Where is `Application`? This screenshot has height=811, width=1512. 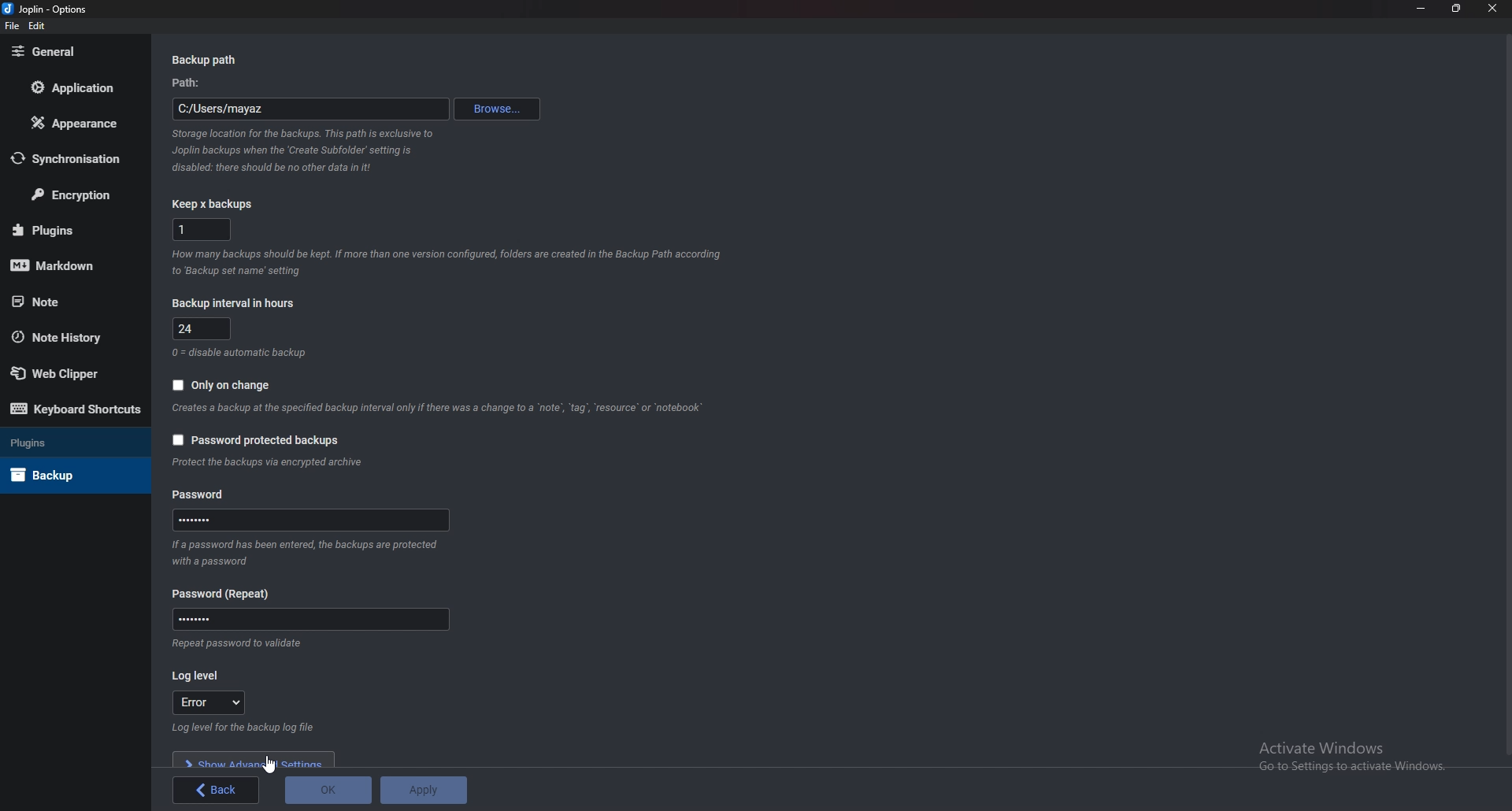
Application is located at coordinates (75, 87).